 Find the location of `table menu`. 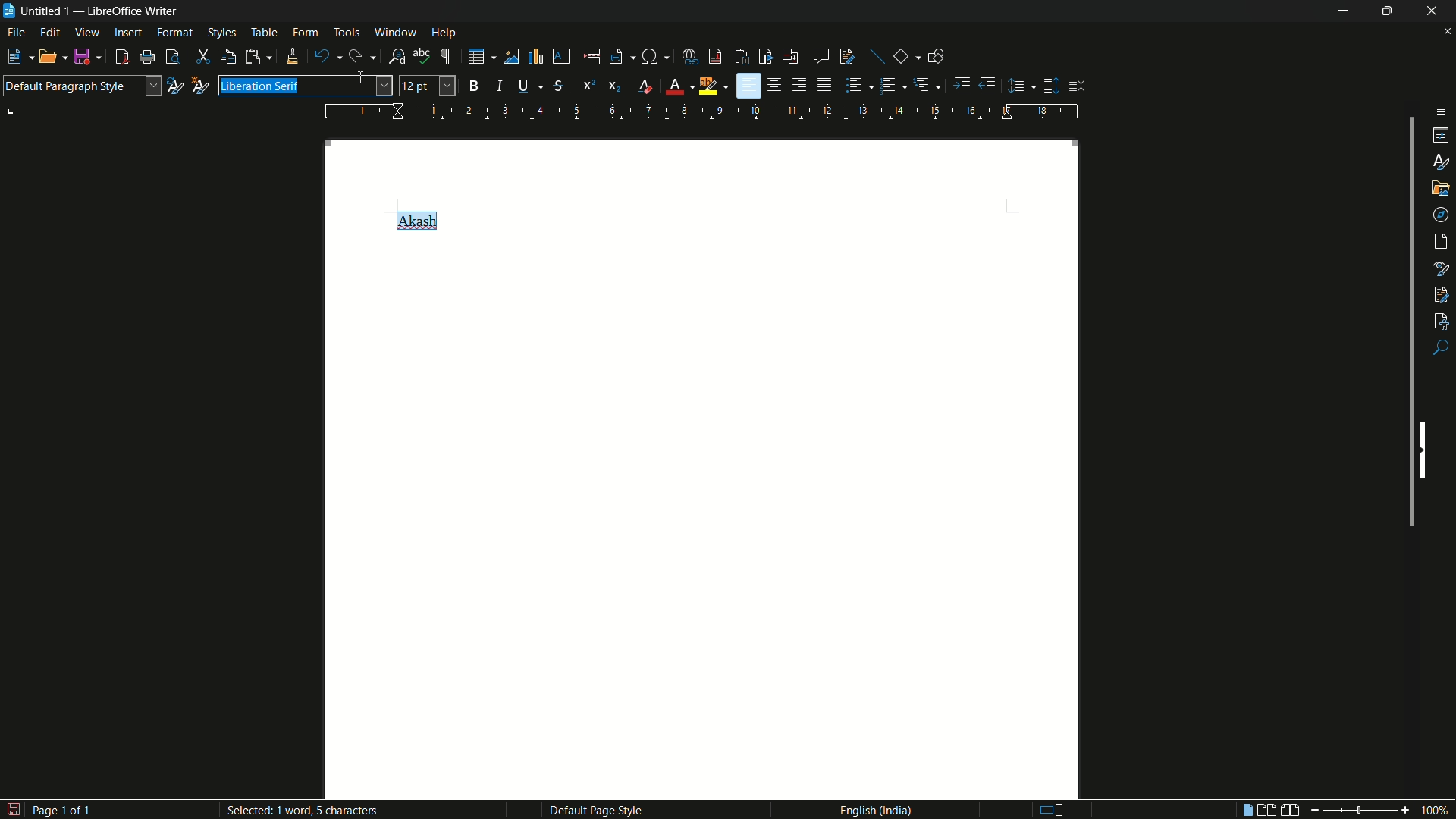

table menu is located at coordinates (264, 33).